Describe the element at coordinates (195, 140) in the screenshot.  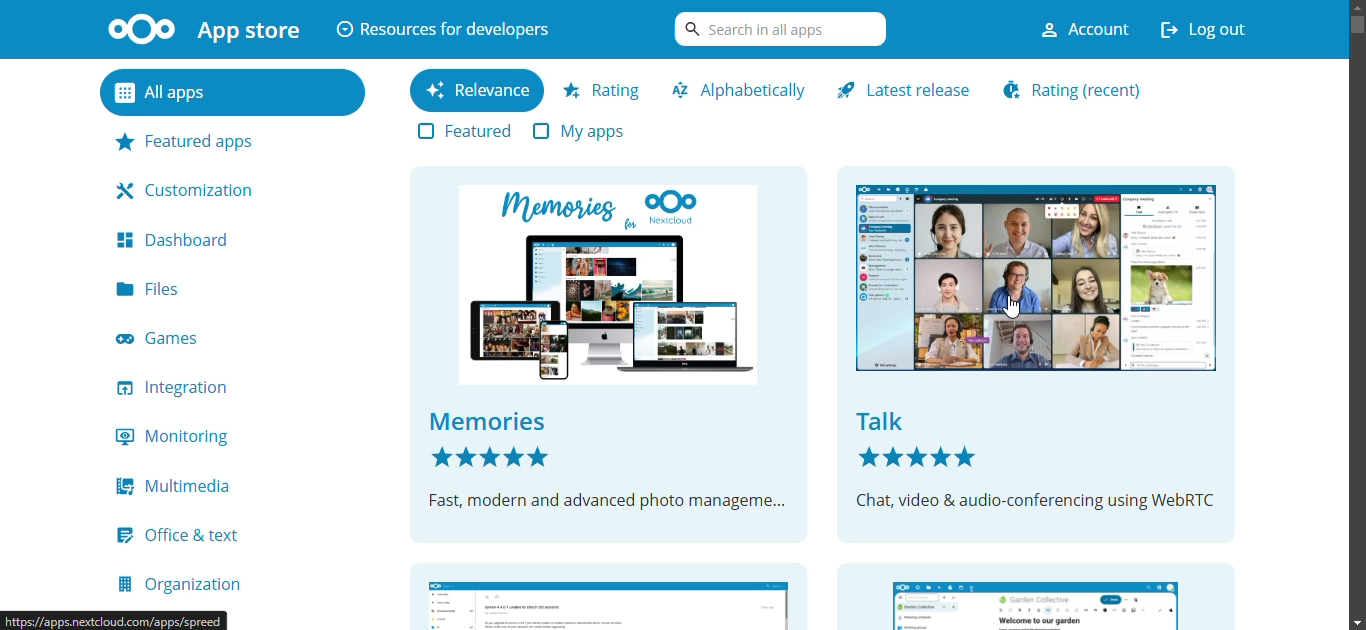
I see `featured apps` at that location.